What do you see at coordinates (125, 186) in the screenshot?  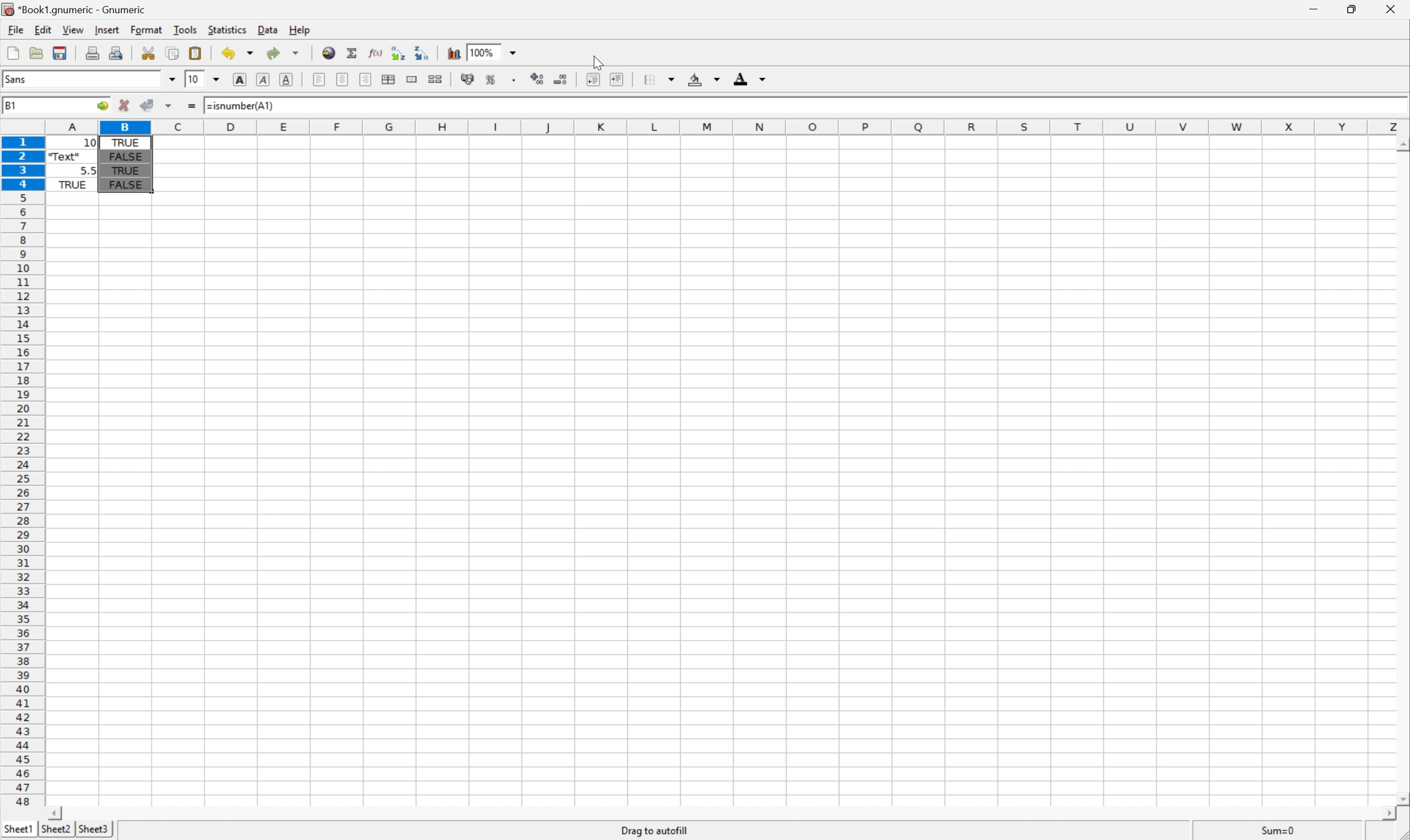 I see `FALSE` at bounding box center [125, 186].